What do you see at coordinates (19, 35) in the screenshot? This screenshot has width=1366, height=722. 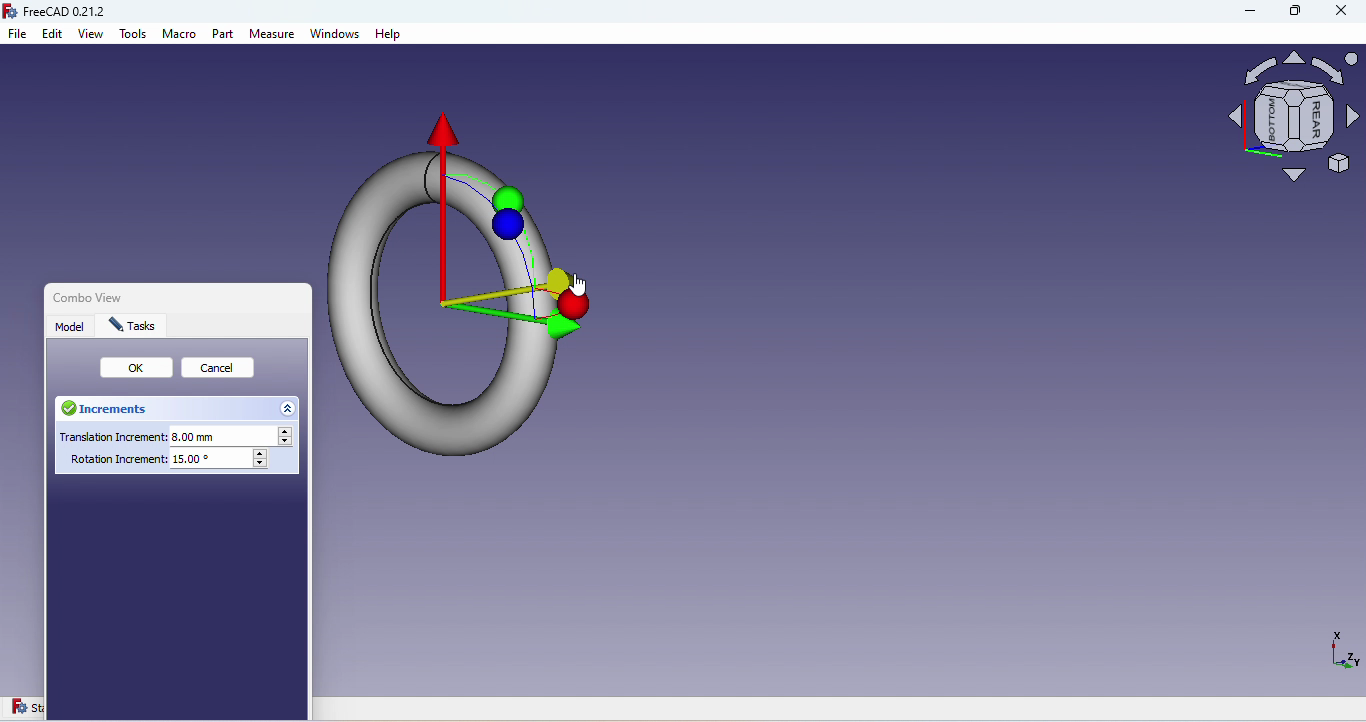 I see `File` at bounding box center [19, 35].